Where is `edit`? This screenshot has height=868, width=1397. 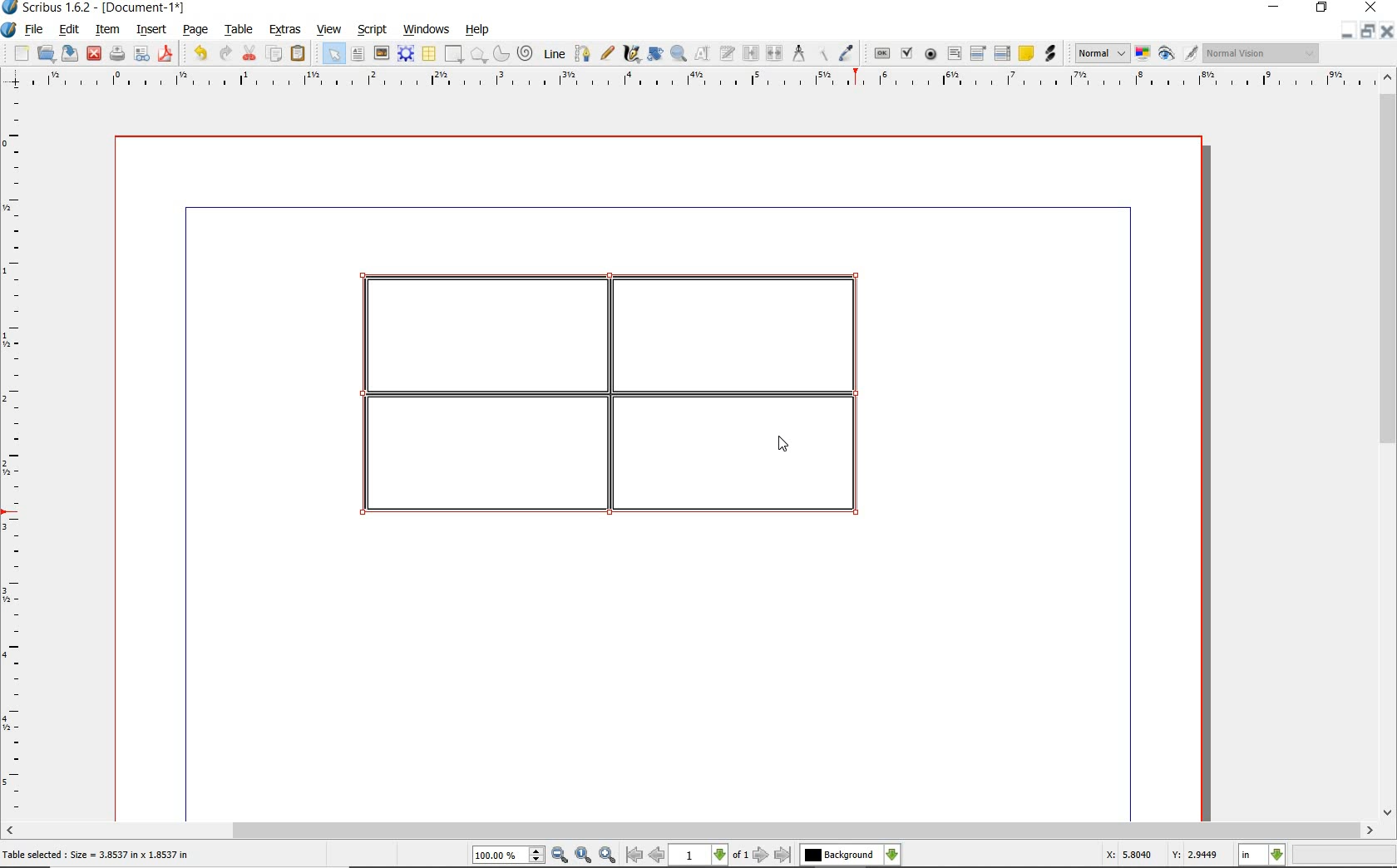
edit is located at coordinates (67, 30).